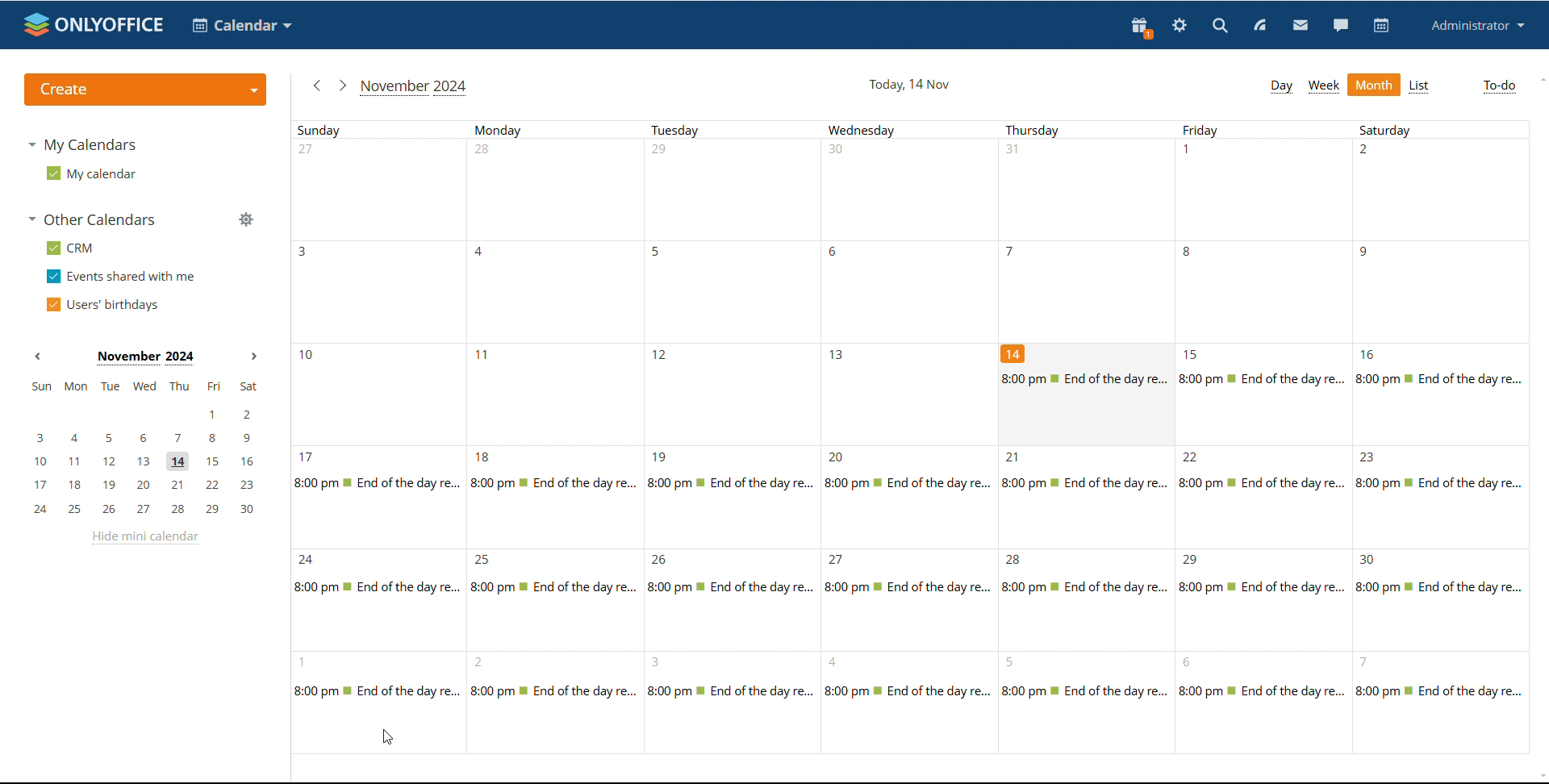 The height and width of the screenshot is (784, 1549). Describe the element at coordinates (145, 90) in the screenshot. I see `create` at that location.